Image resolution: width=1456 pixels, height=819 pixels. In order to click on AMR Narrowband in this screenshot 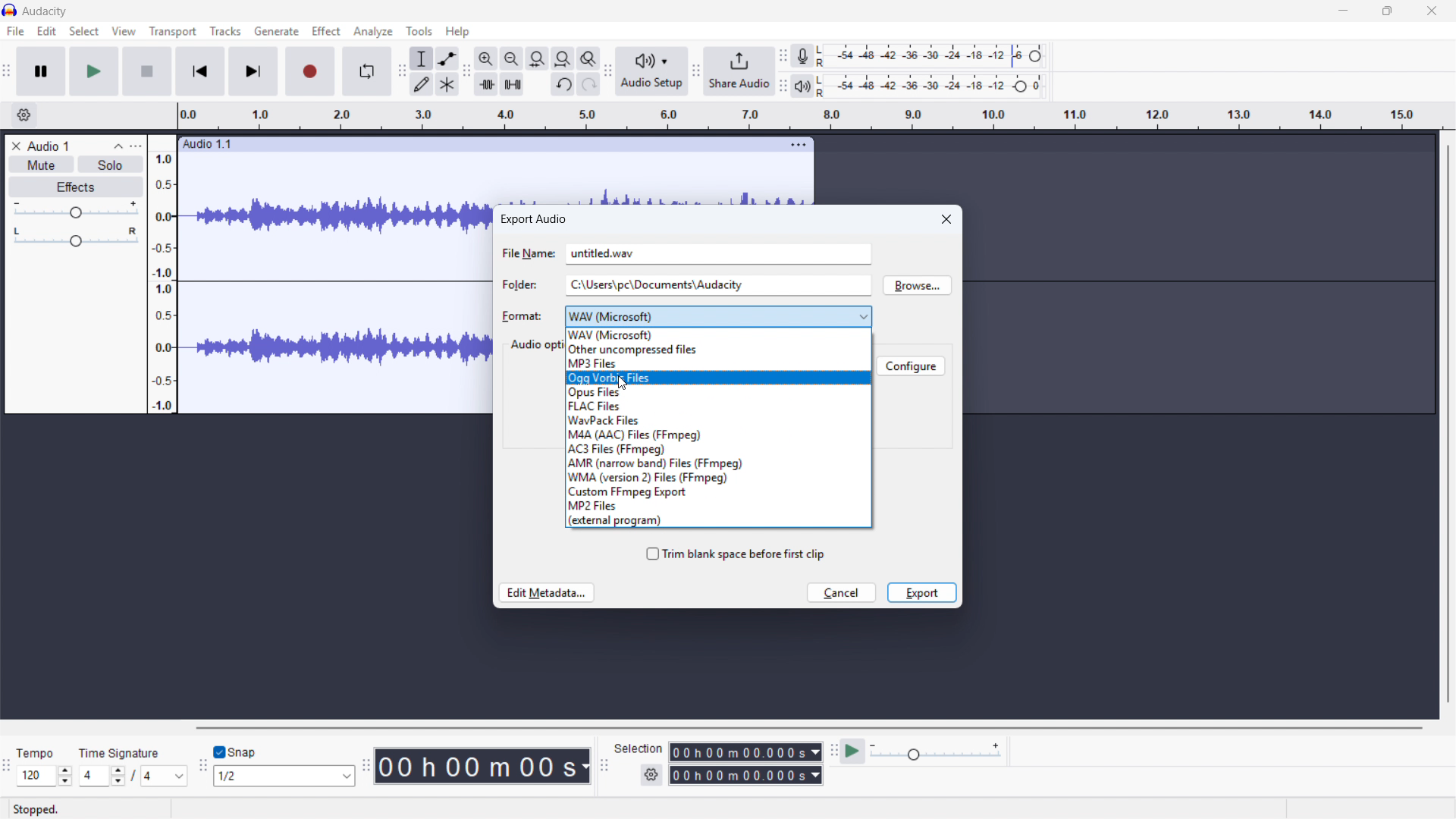, I will do `click(719, 462)`.